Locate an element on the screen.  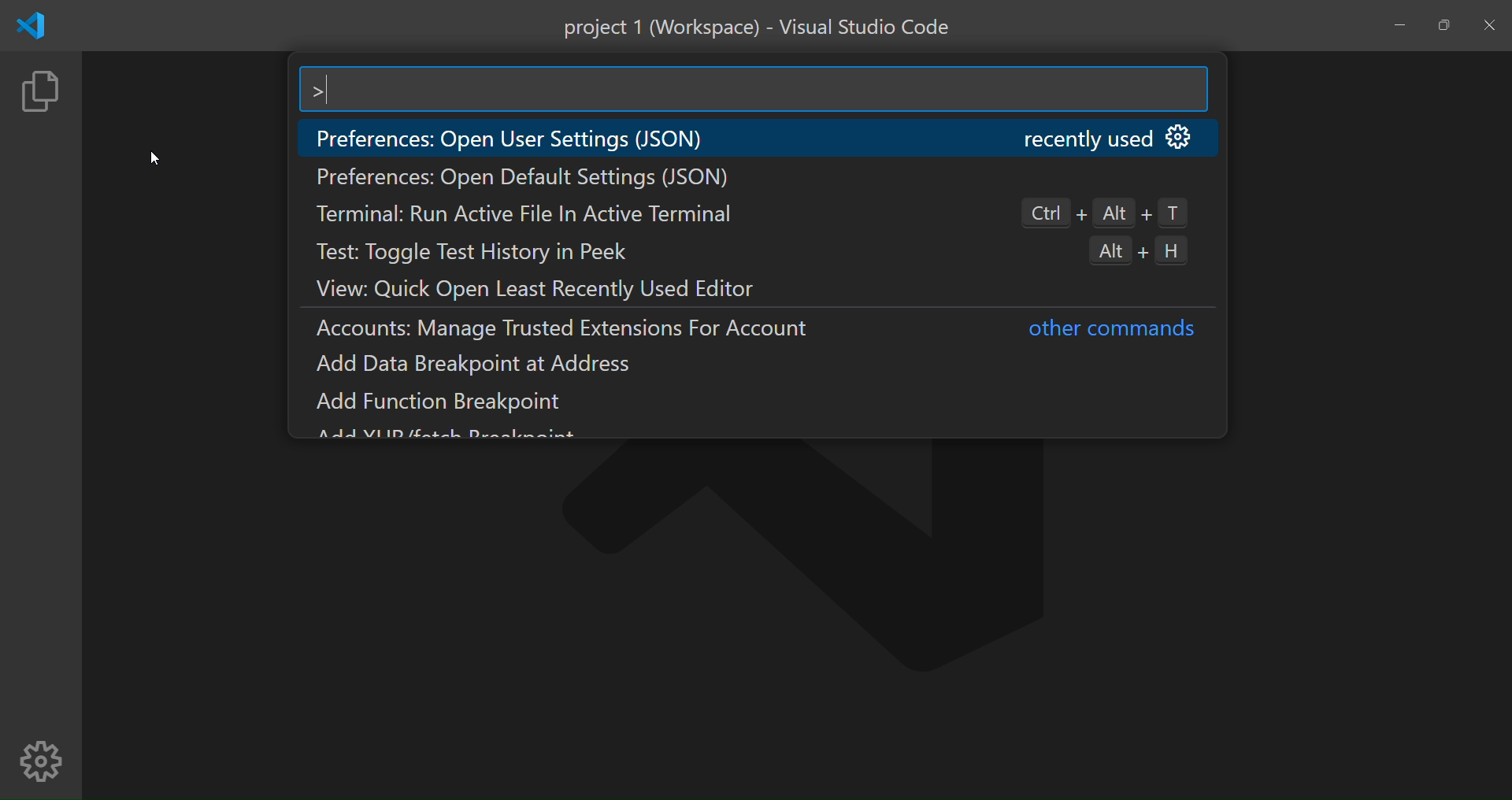
Alt + H is located at coordinates (1153, 251).